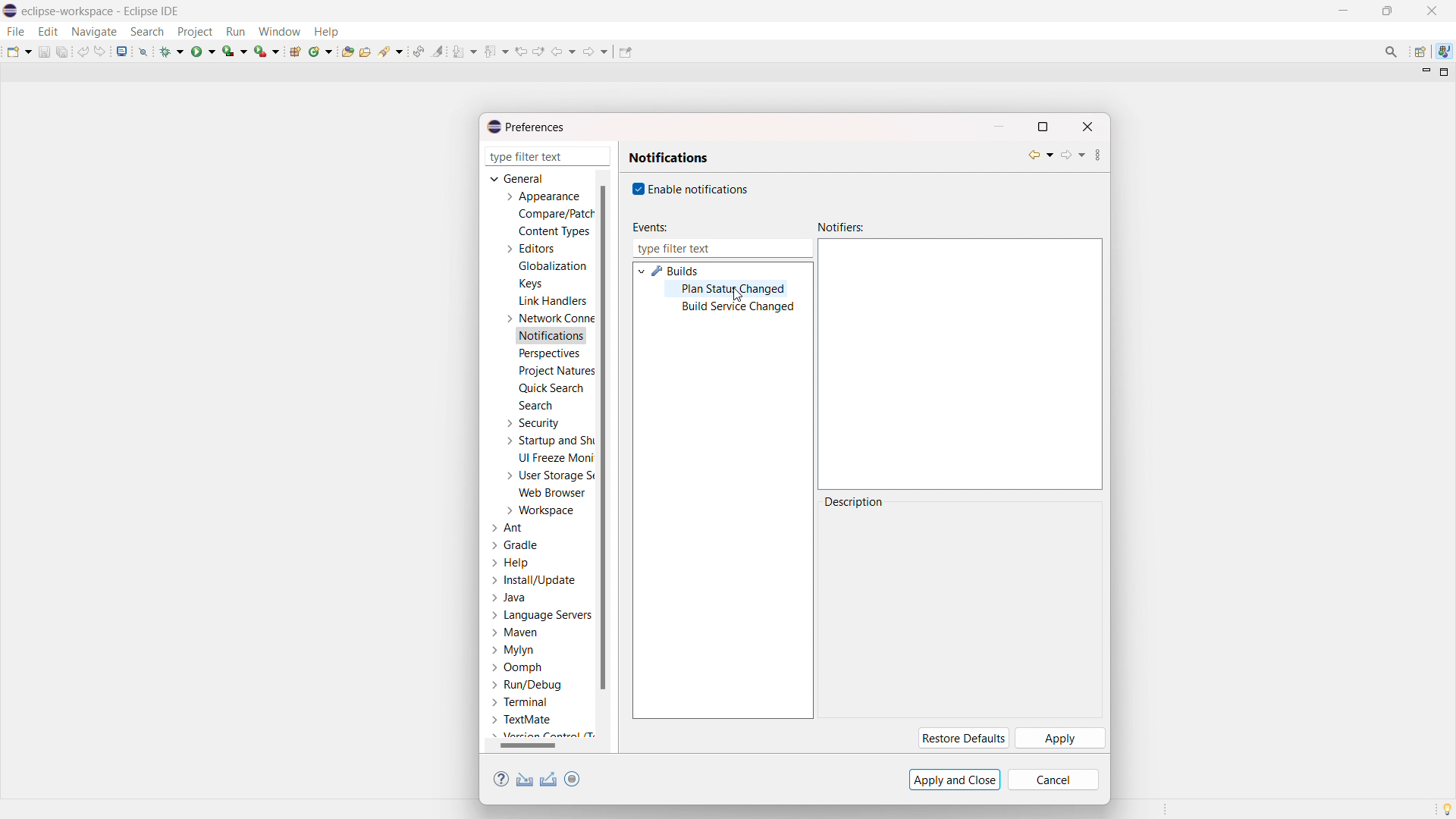  What do you see at coordinates (735, 290) in the screenshot?
I see `plan status changed` at bounding box center [735, 290].